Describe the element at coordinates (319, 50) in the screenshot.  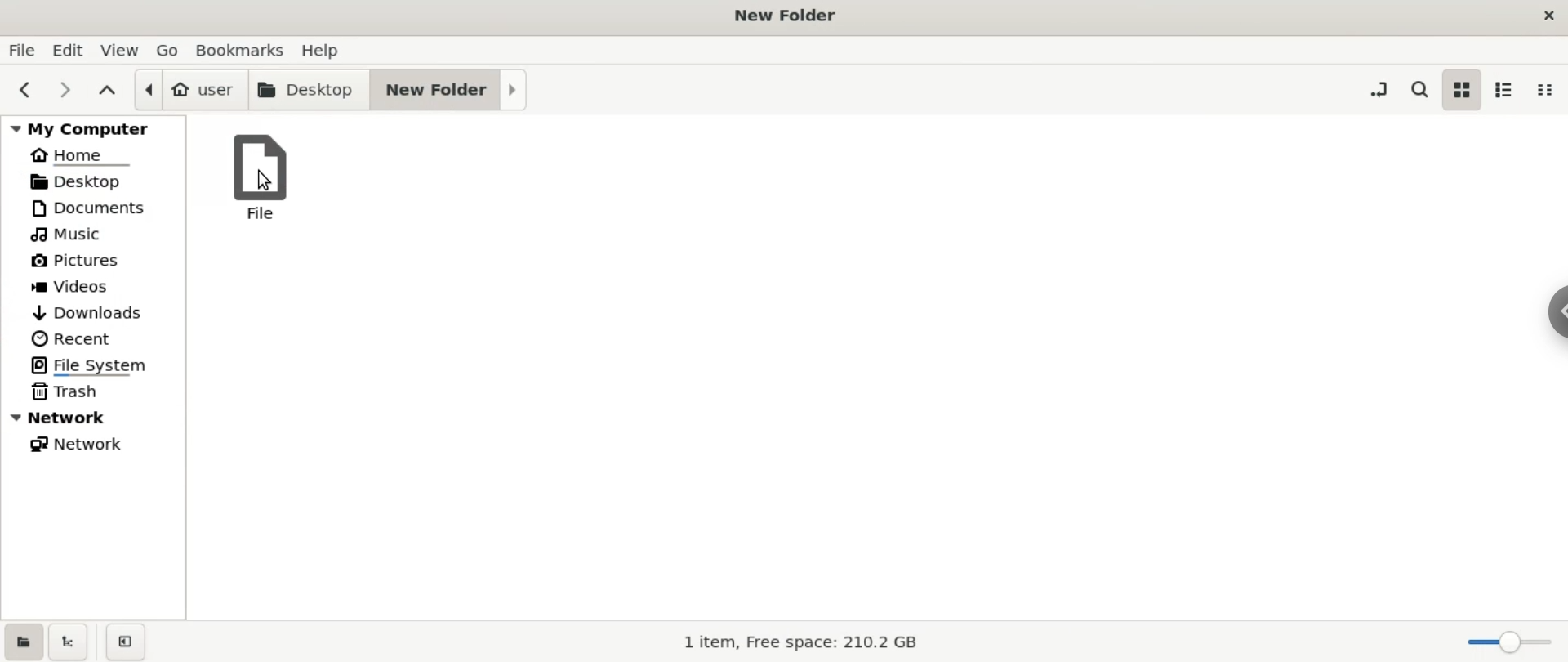
I see `help` at that location.